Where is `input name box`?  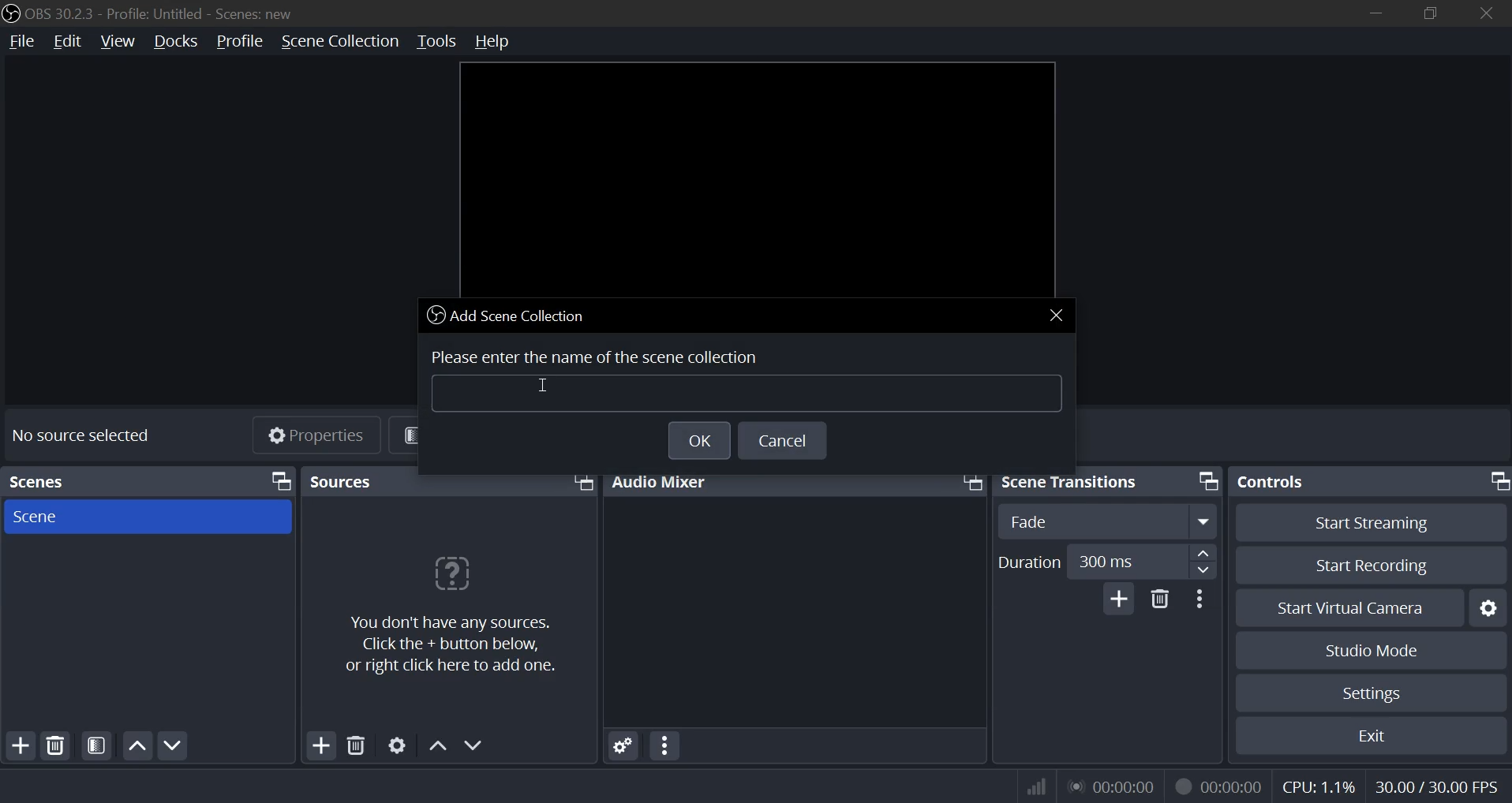 input name box is located at coordinates (750, 395).